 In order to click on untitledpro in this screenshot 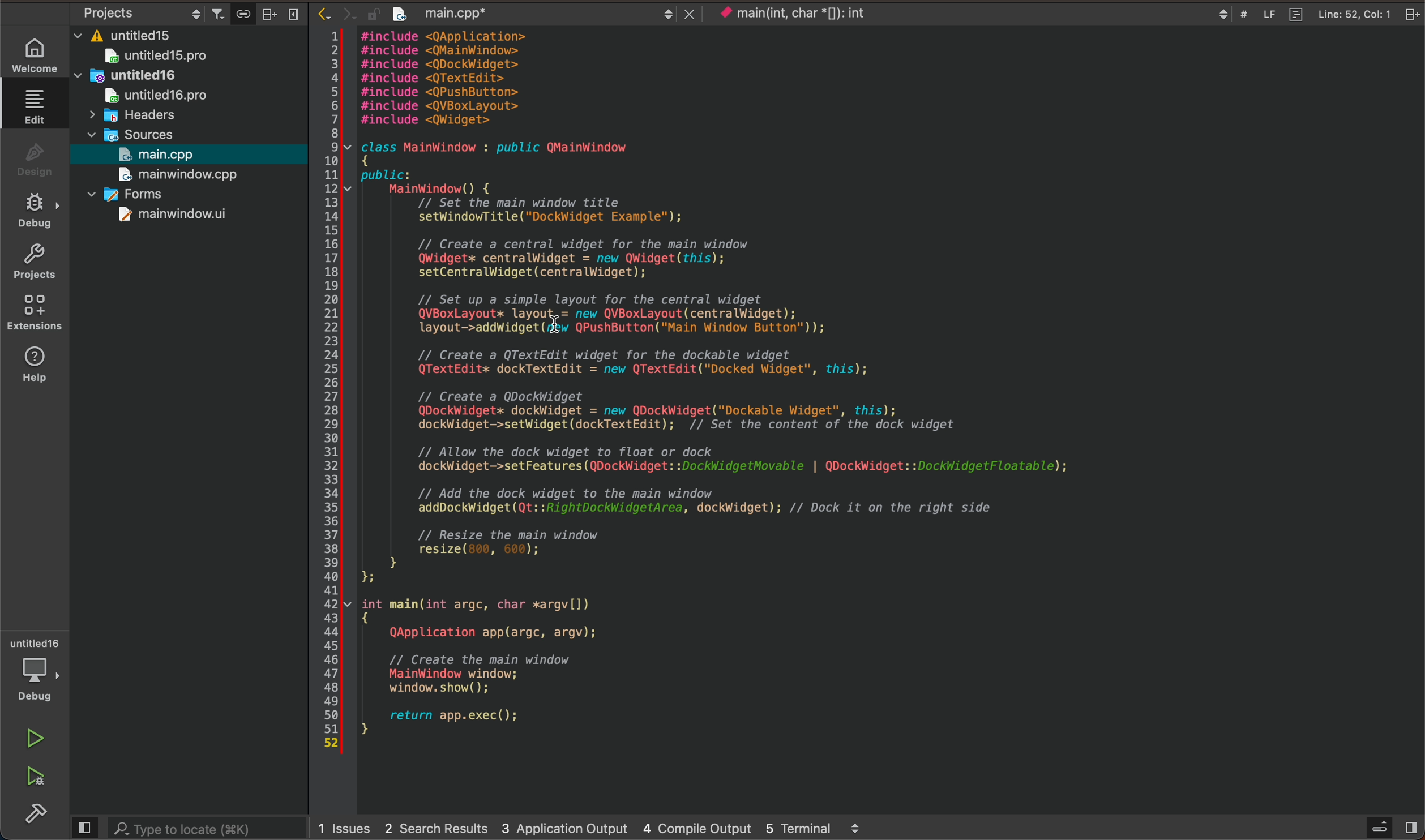, I will do `click(161, 96)`.